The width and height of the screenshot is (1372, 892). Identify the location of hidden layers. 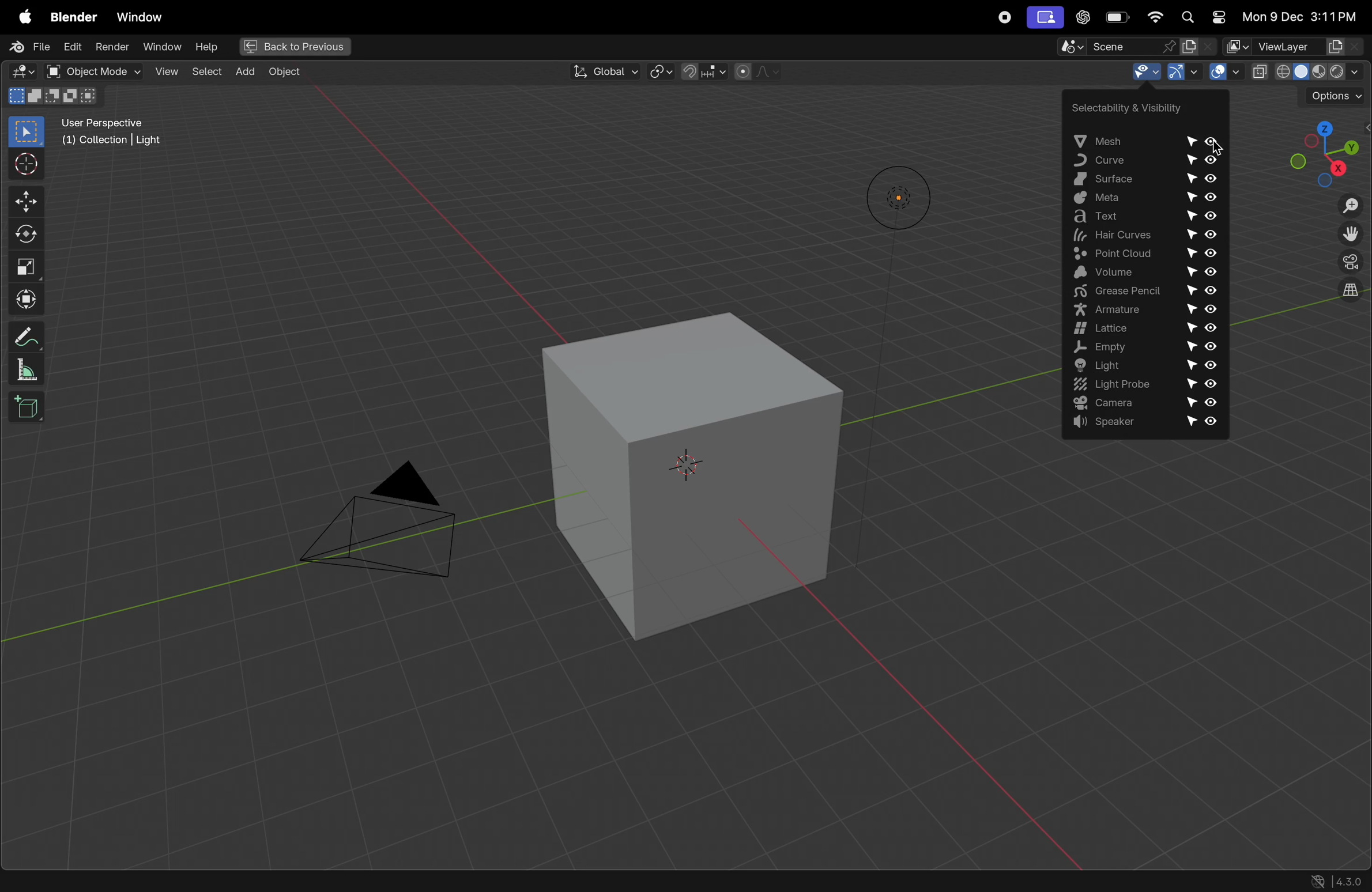
(1344, 298).